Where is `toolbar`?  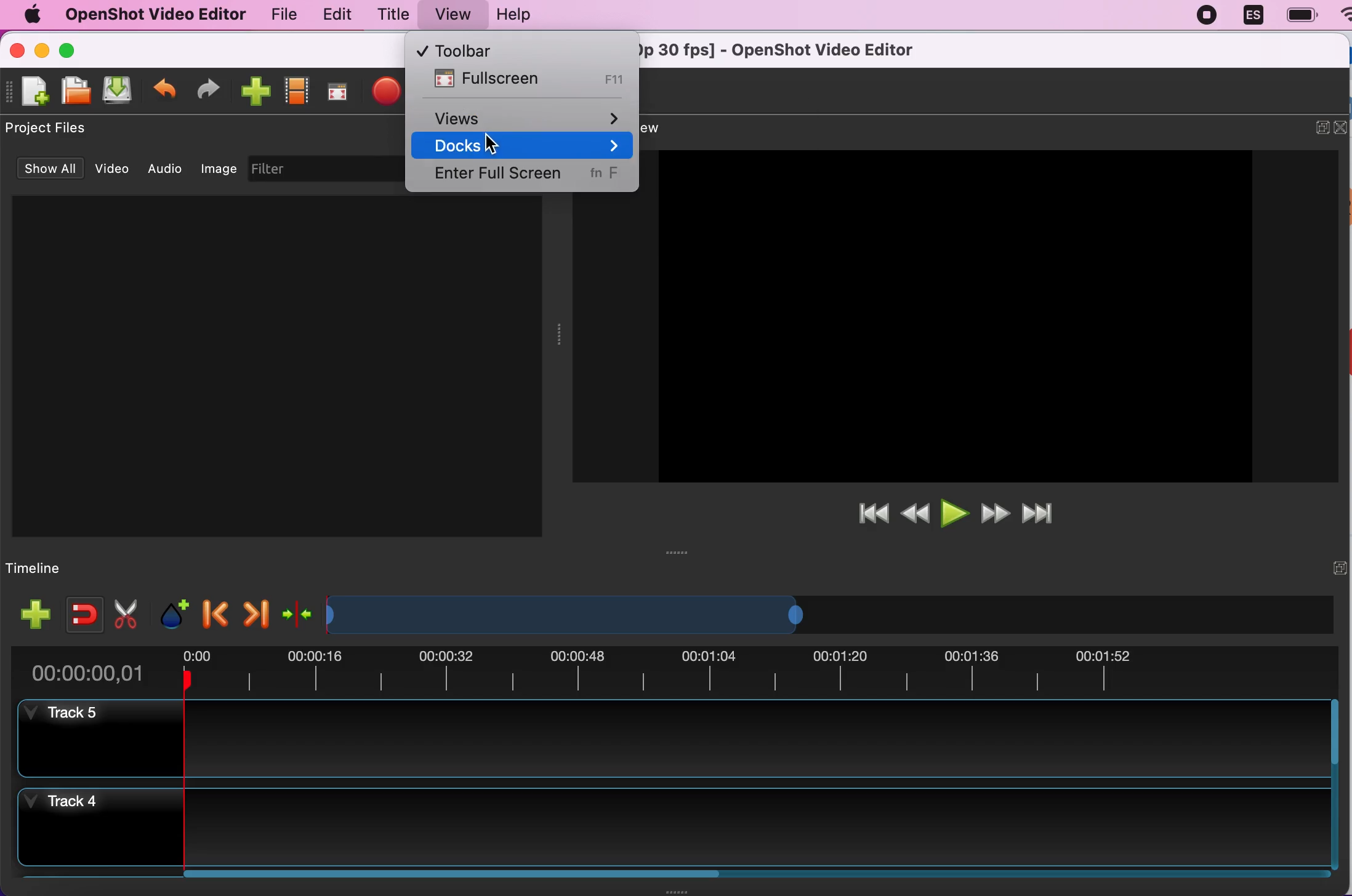 toolbar is located at coordinates (496, 49).